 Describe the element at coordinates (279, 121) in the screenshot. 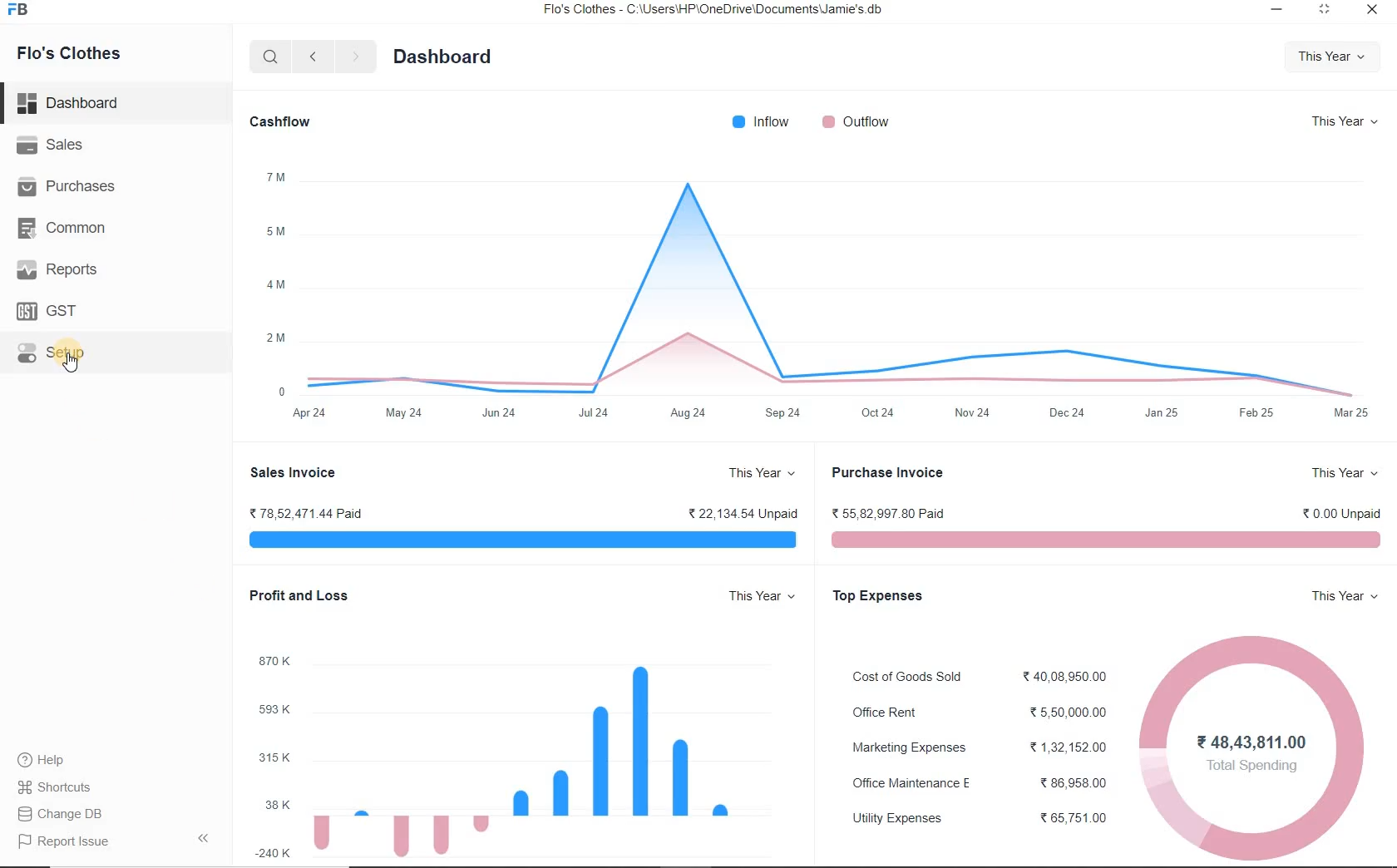

I see `Cashflow` at that location.